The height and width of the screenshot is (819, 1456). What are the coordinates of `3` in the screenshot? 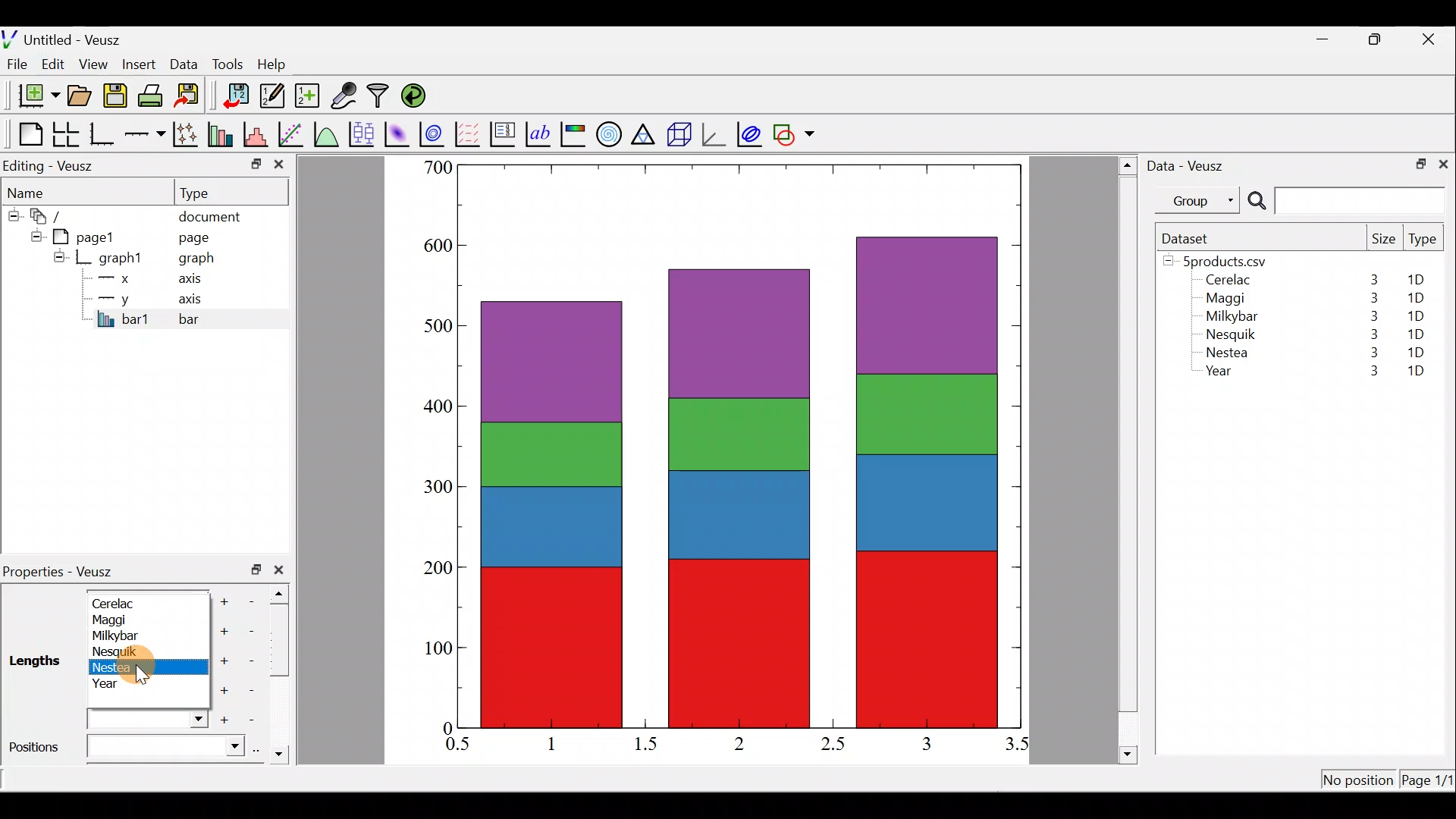 It's located at (925, 743).